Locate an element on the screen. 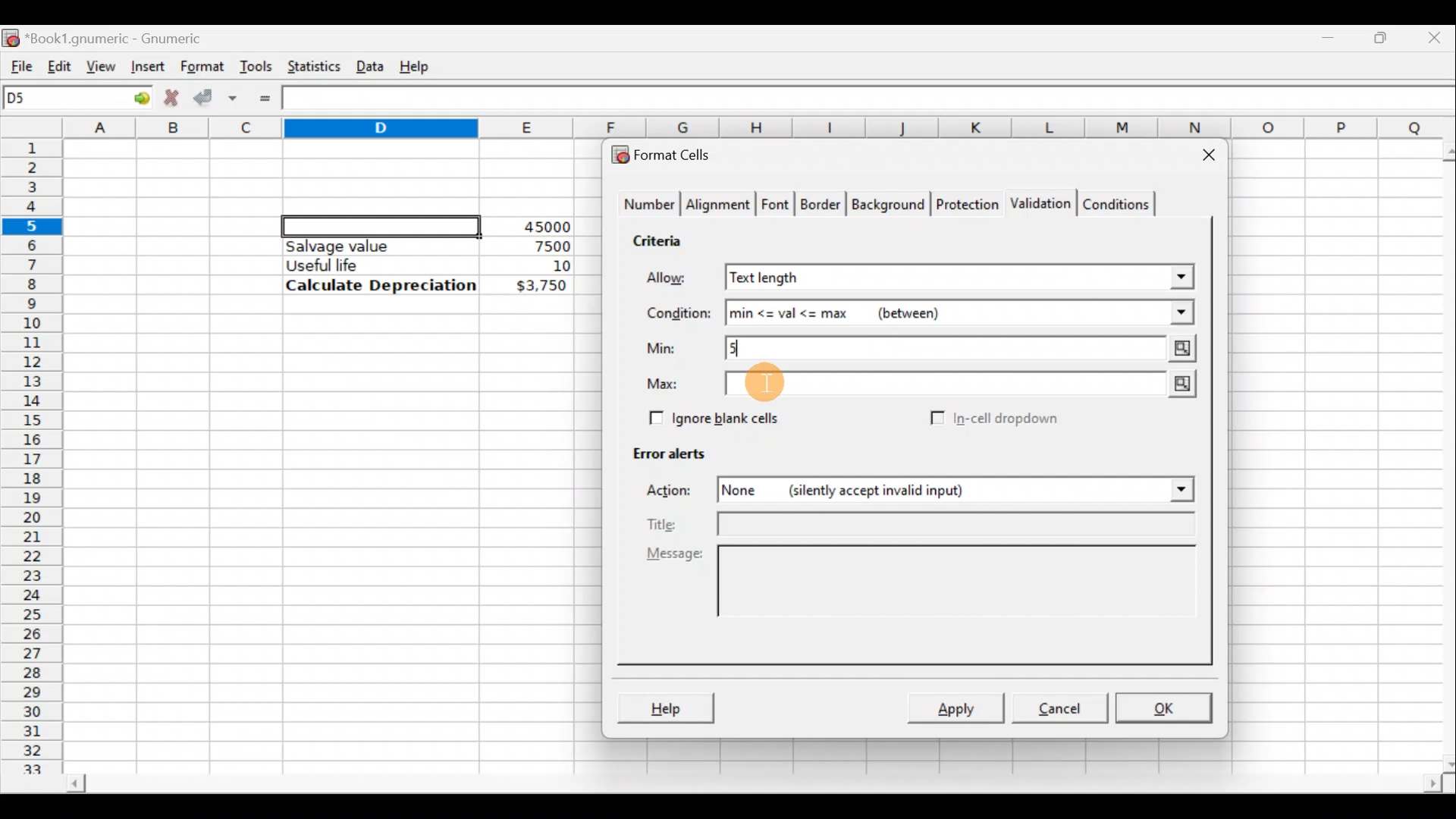  Calculate Depreciation is located at coordinates (381, 284).